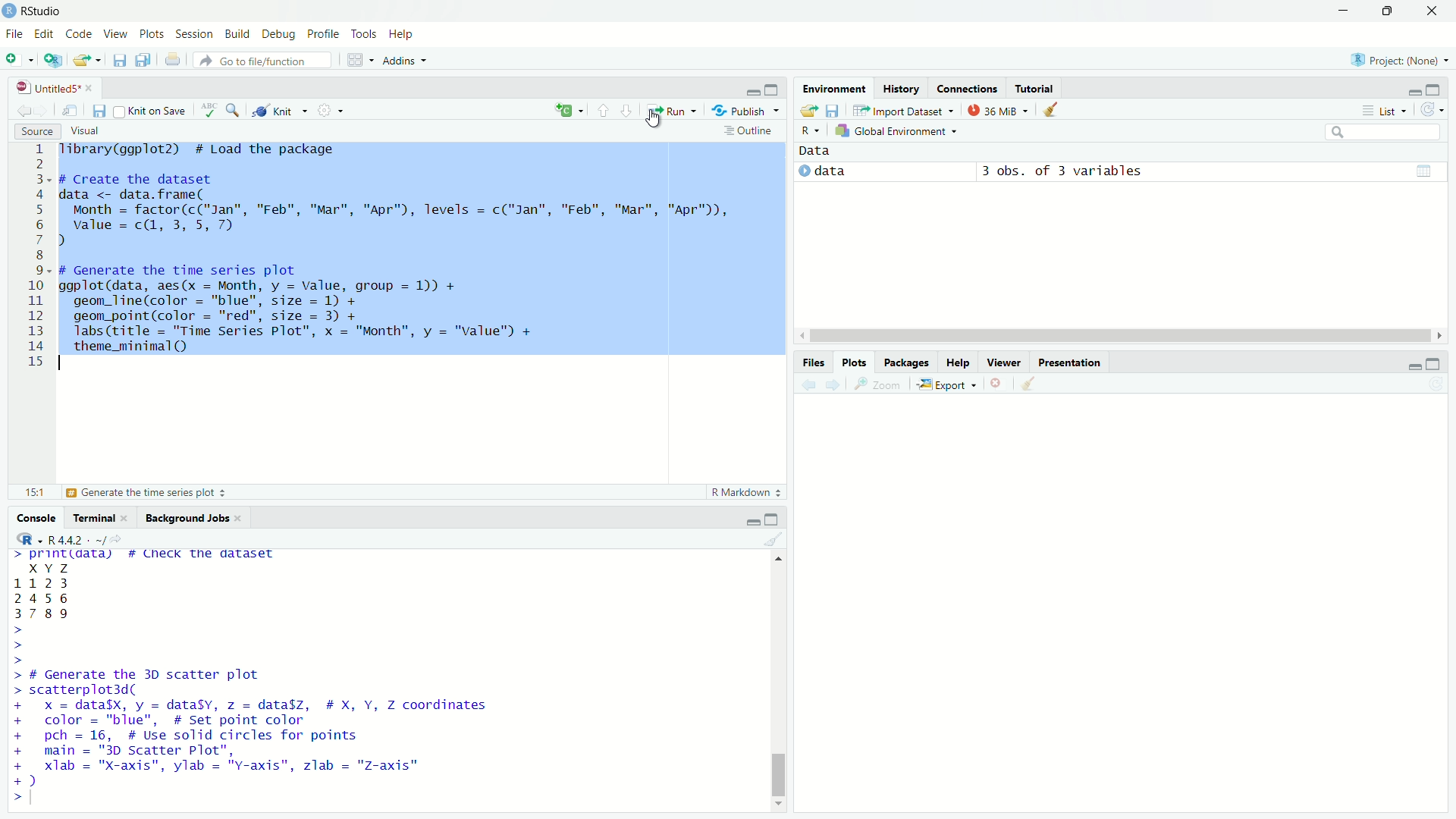 The width and height of the screenshot is (1456, 819). Describe the element at coordinates (115, 33) in the screenshot. I see `view` at that location.